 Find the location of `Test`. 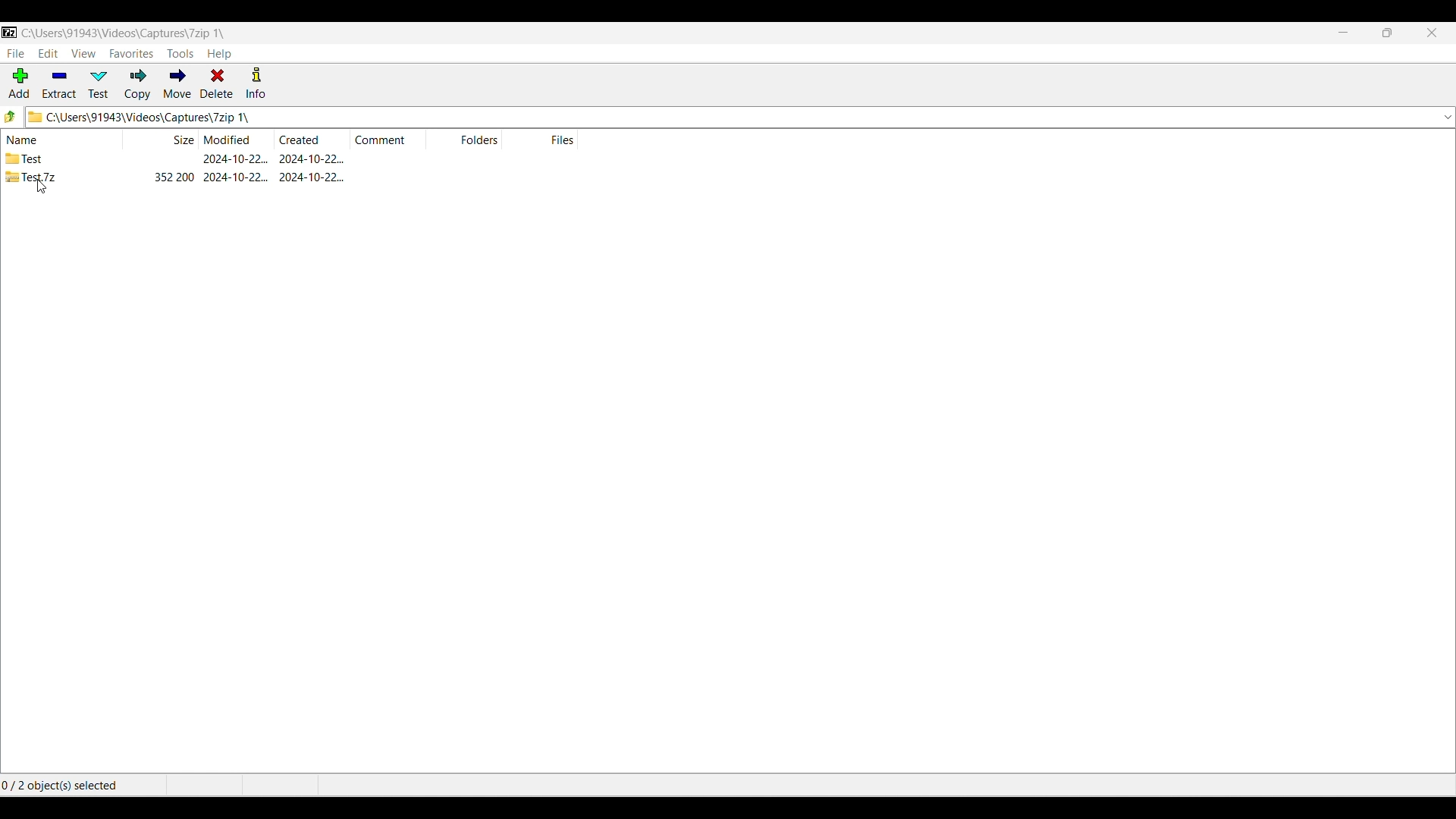

Test is located at coordinates (58, 158).